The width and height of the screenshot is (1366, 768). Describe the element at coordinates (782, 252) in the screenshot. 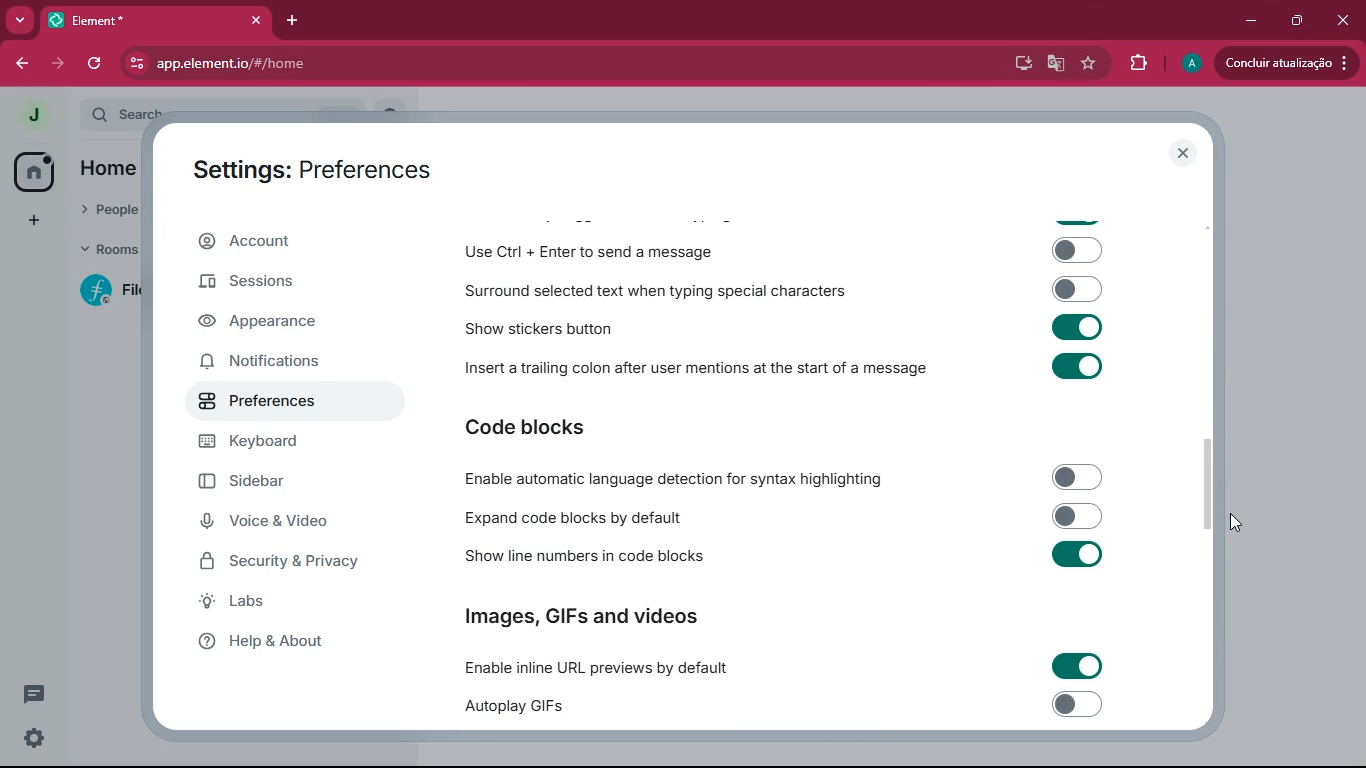

I see `Use Ctrl + Enter to send a message` at that location.